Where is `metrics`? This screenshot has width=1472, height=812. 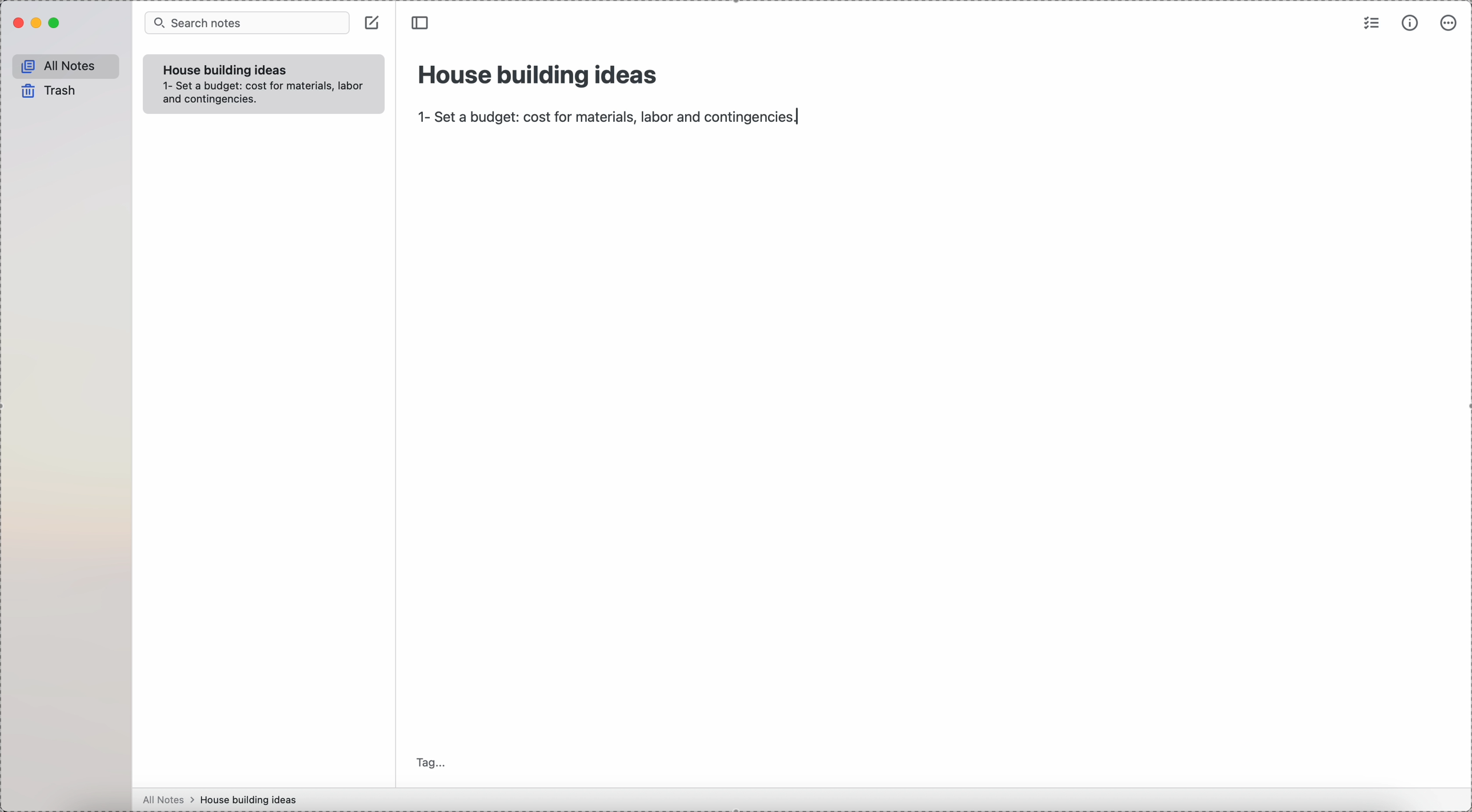 metrics is located at coordinates (1410, 25).